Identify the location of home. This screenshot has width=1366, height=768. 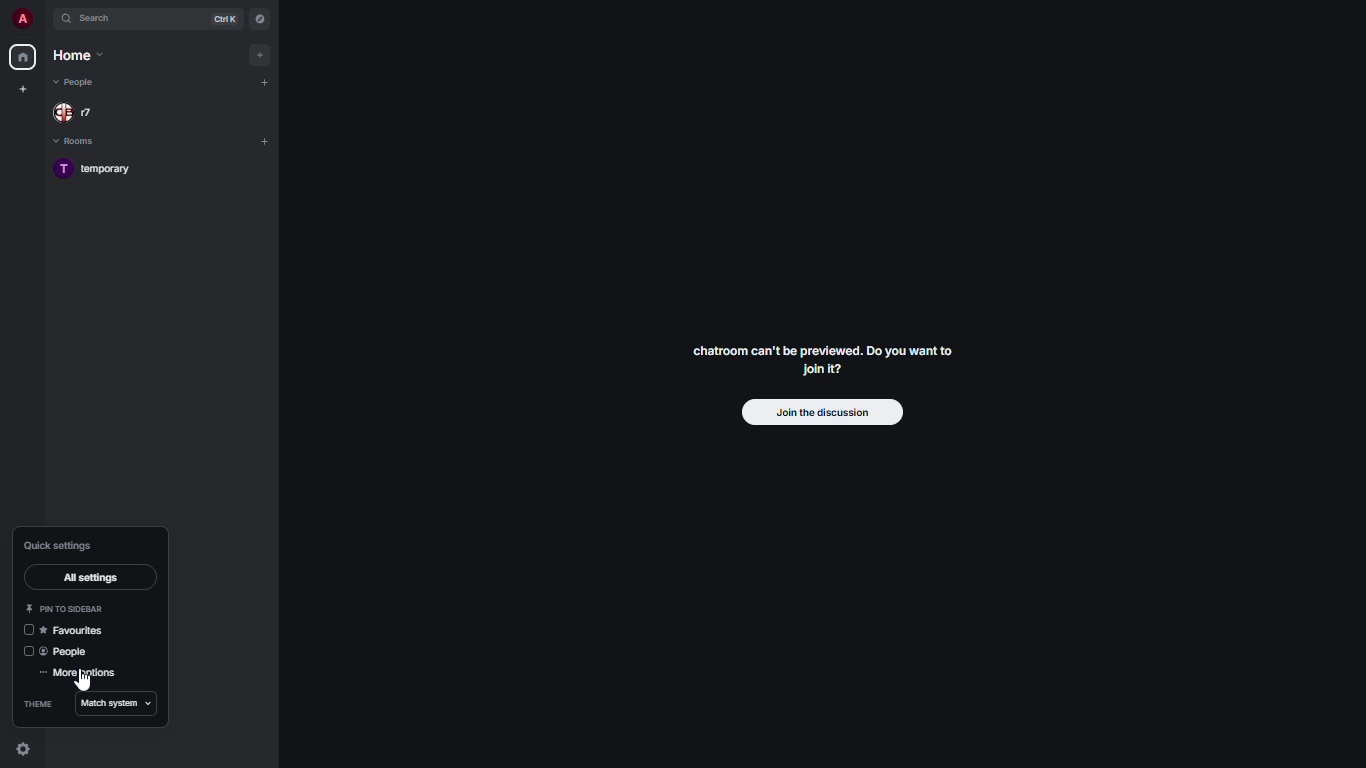
(79, 55).